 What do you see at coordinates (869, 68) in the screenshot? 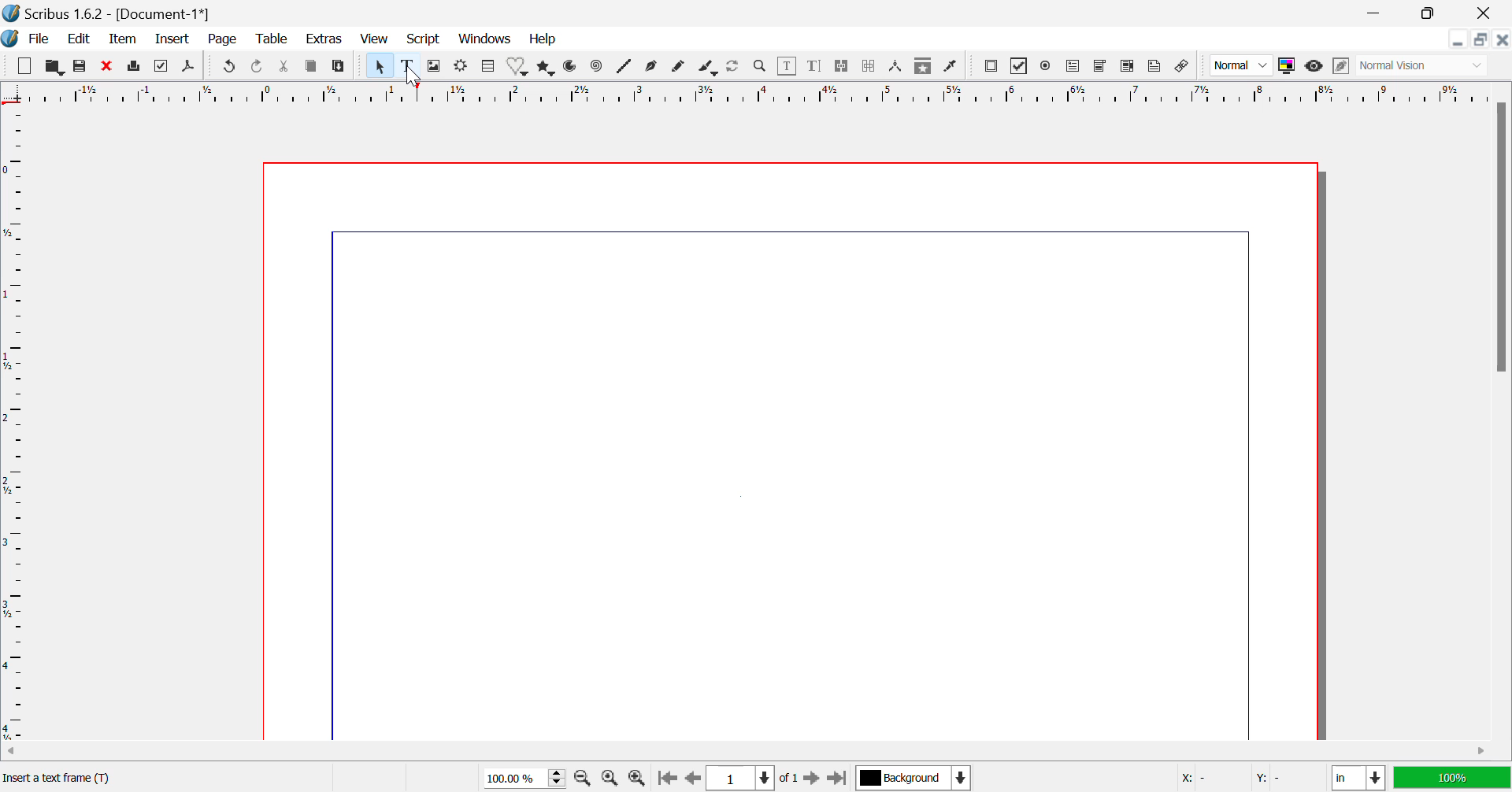
I see `Delink Text Frame` at bounding box center [869, 68].